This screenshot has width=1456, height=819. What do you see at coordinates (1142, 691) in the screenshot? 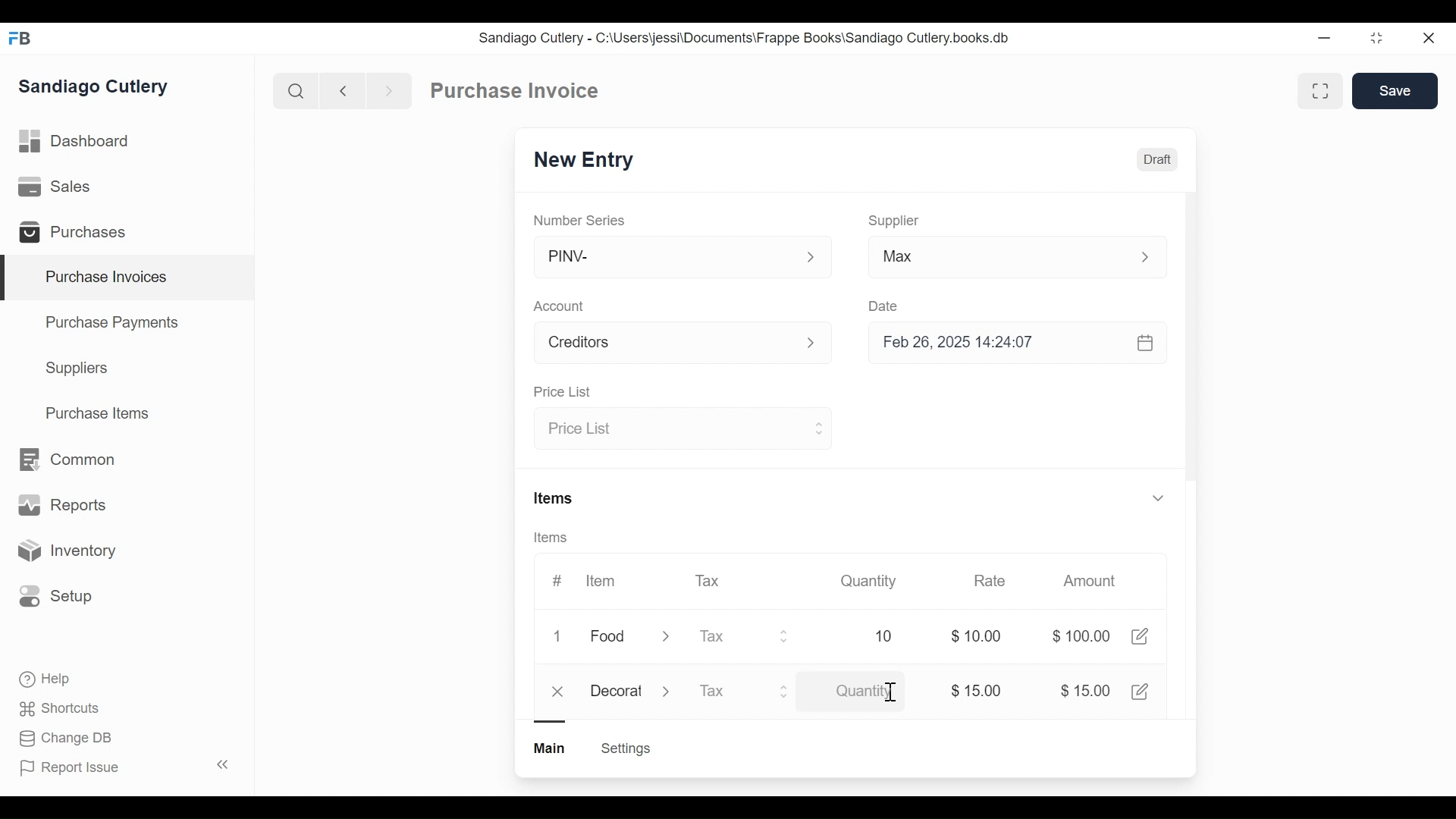
I see `Edit` at bounding box center [1142, 691].